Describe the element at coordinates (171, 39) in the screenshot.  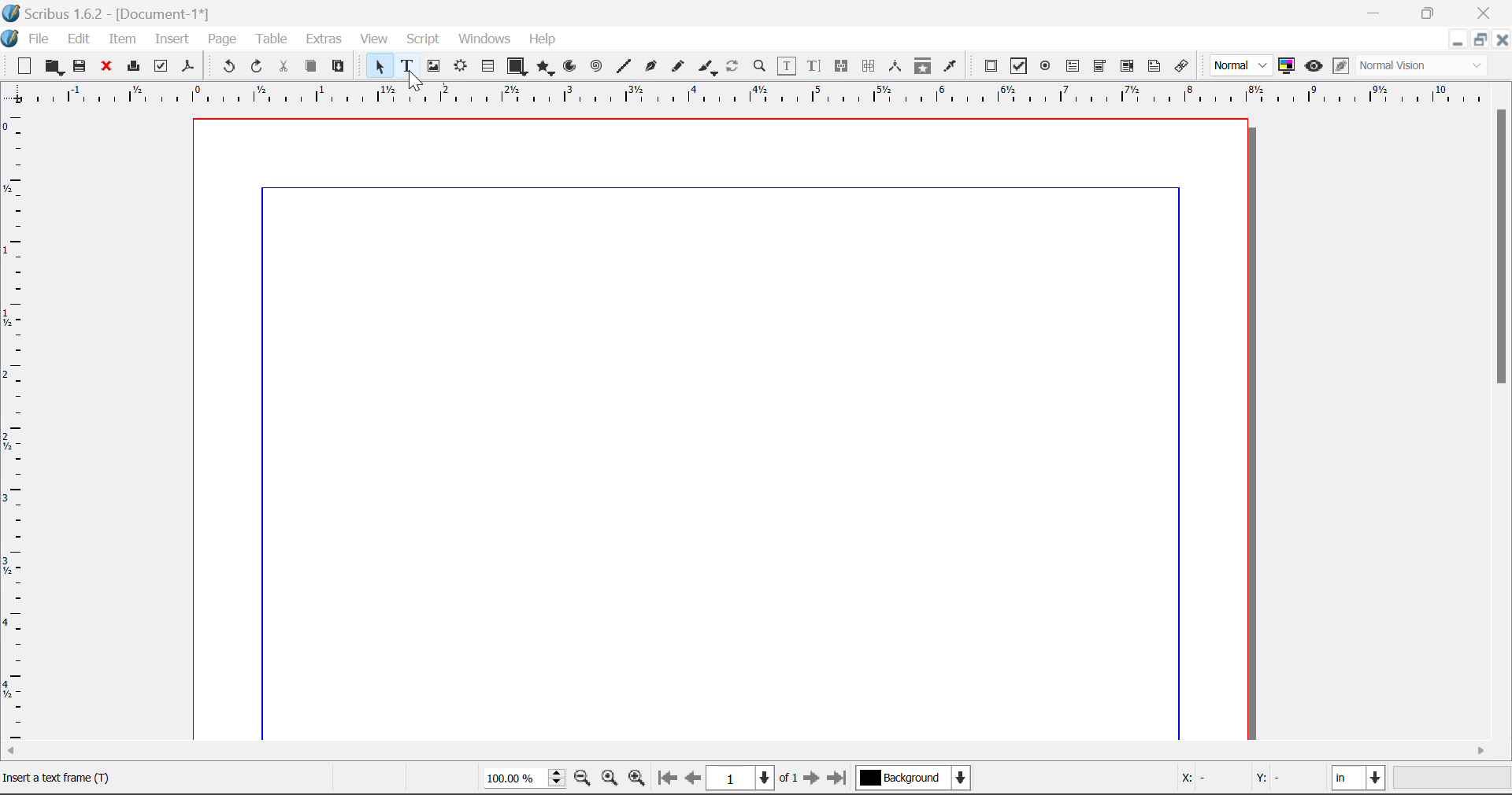
I see `Insert` at that location.